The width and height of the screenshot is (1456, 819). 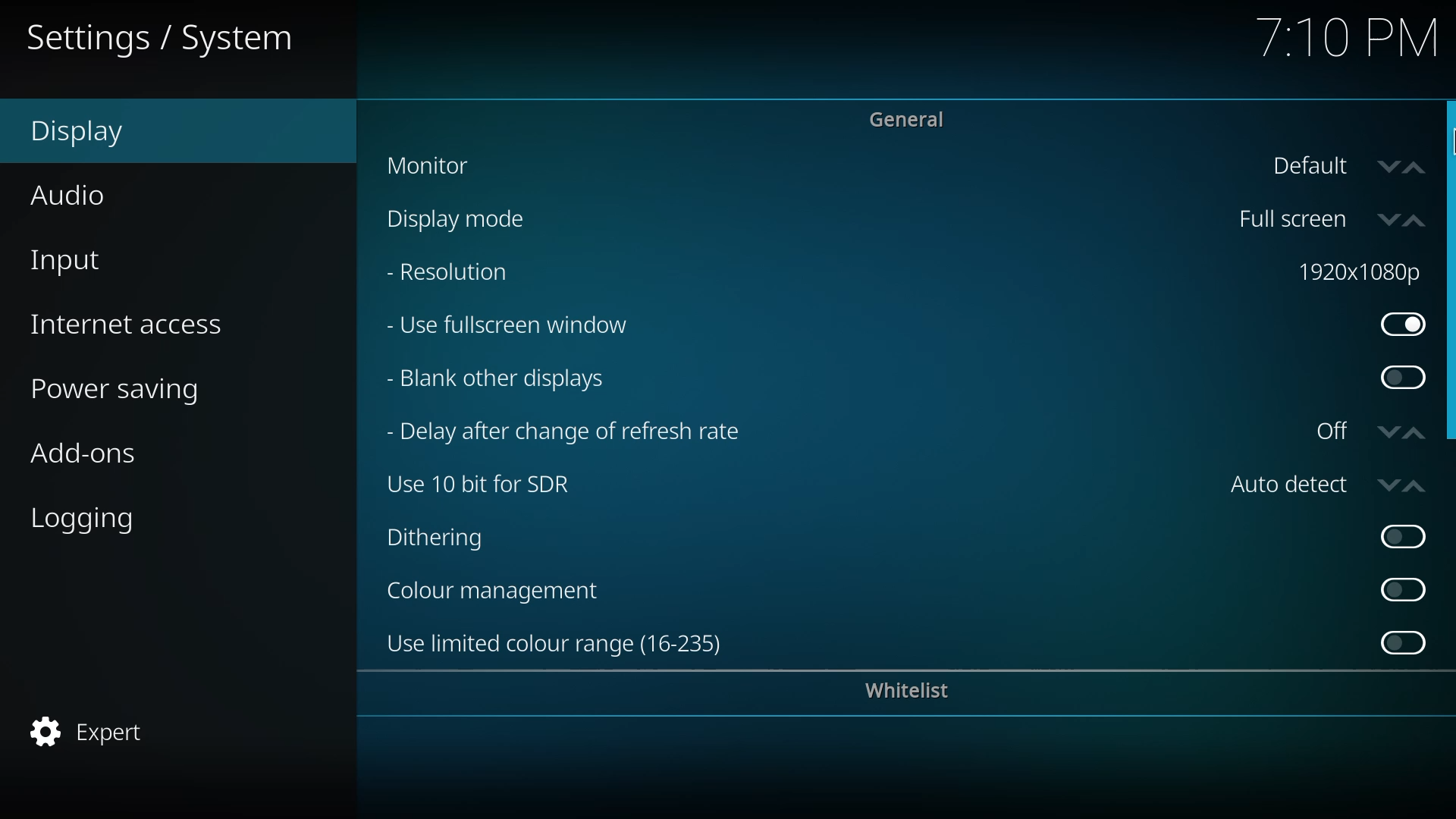 I want to click on system, so click(x=165, y=39).